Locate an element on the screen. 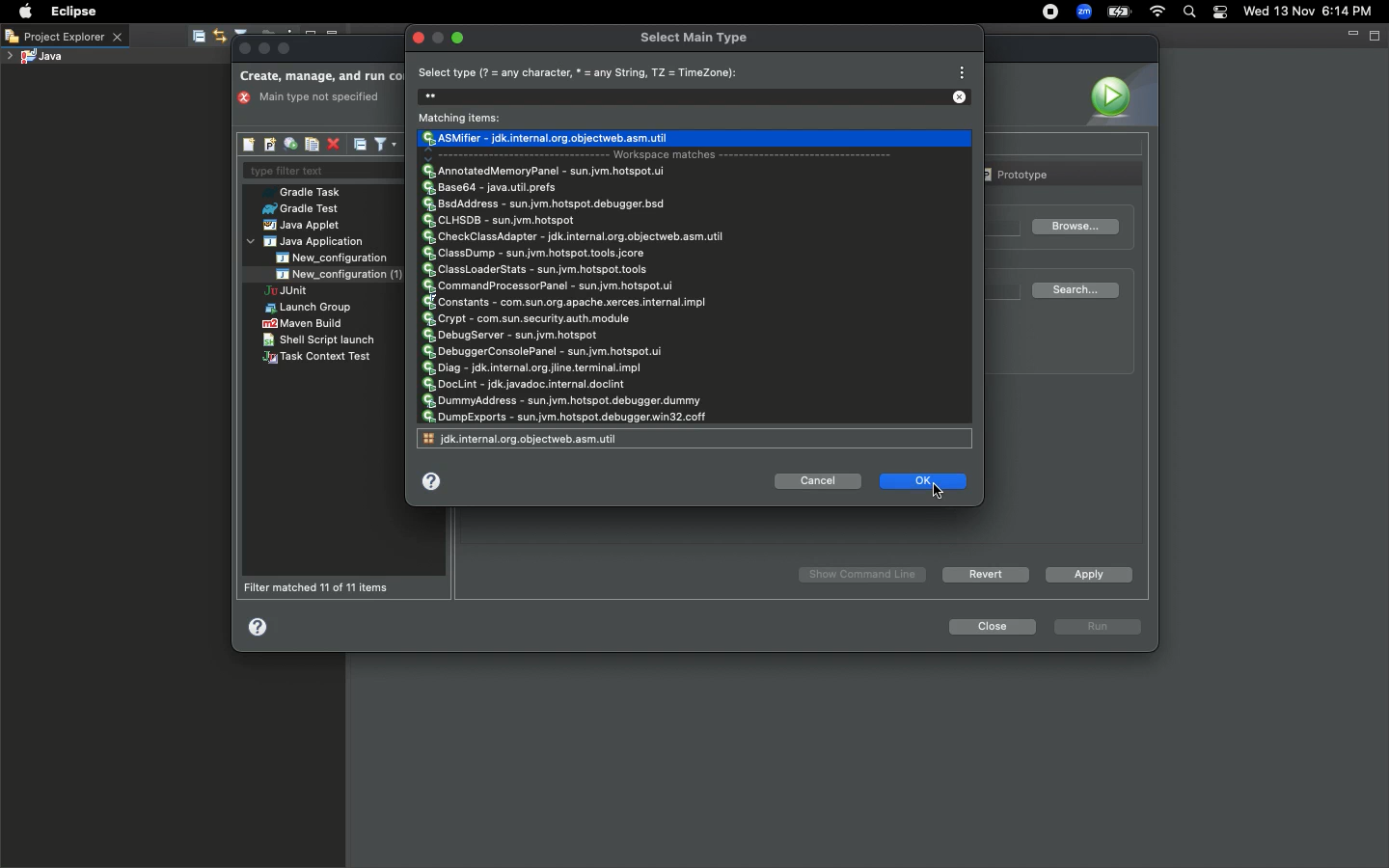 This screenshot has width=1389, height=868. Java project is located at coordinates (34, 58).